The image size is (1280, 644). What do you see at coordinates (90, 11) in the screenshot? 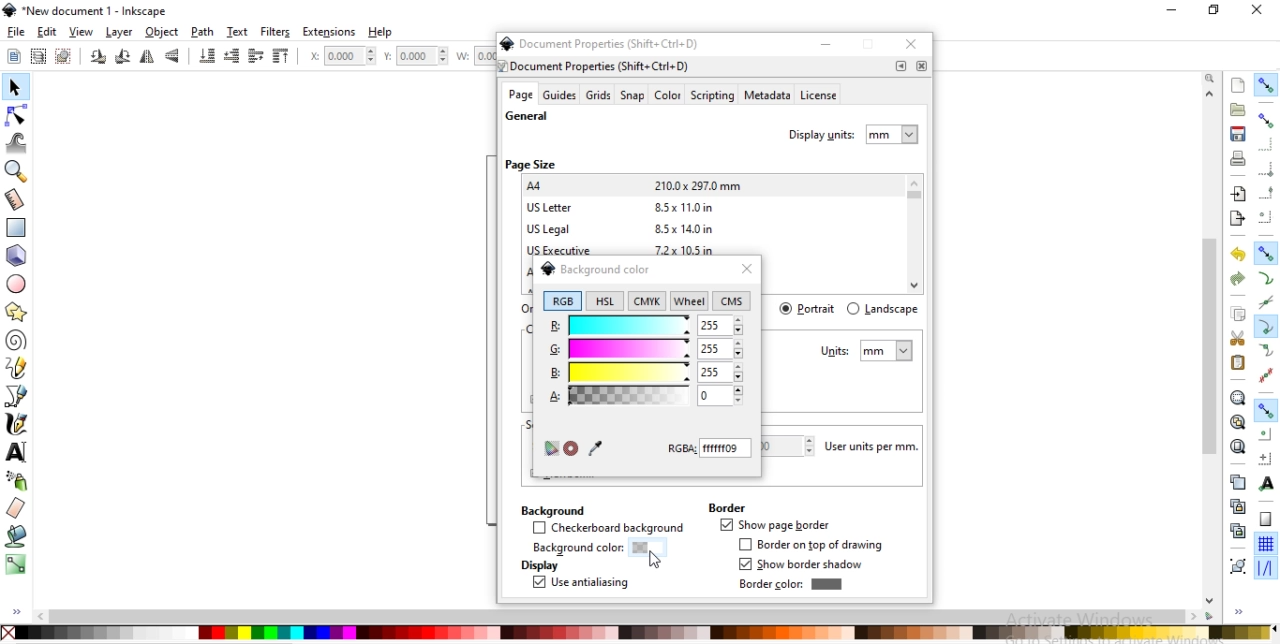
I see `new document 1 -Inksacpe` at bounding box center [90, 11].